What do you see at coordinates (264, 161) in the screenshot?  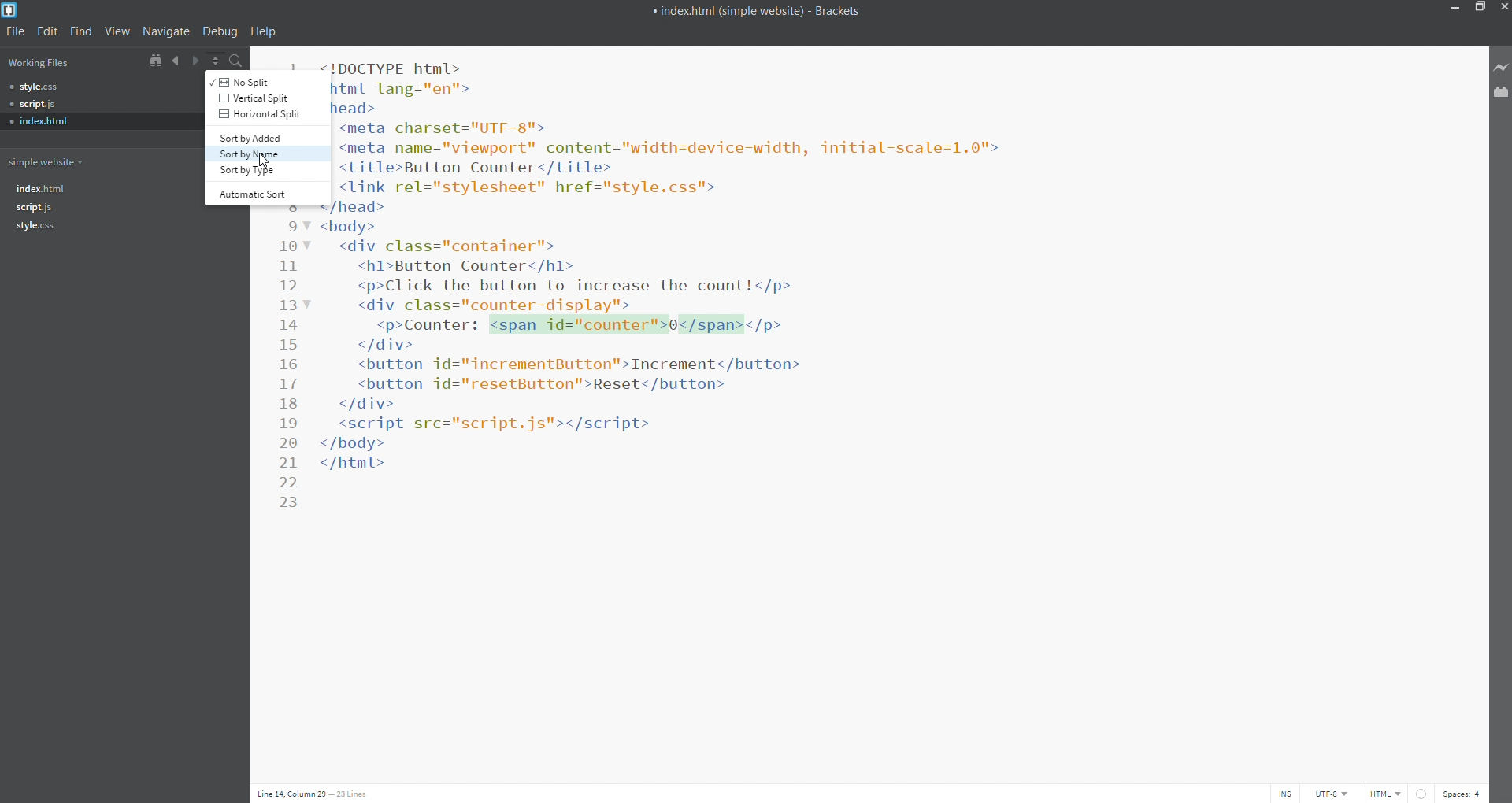 I see `cursor` at bounding box center [264, 161].